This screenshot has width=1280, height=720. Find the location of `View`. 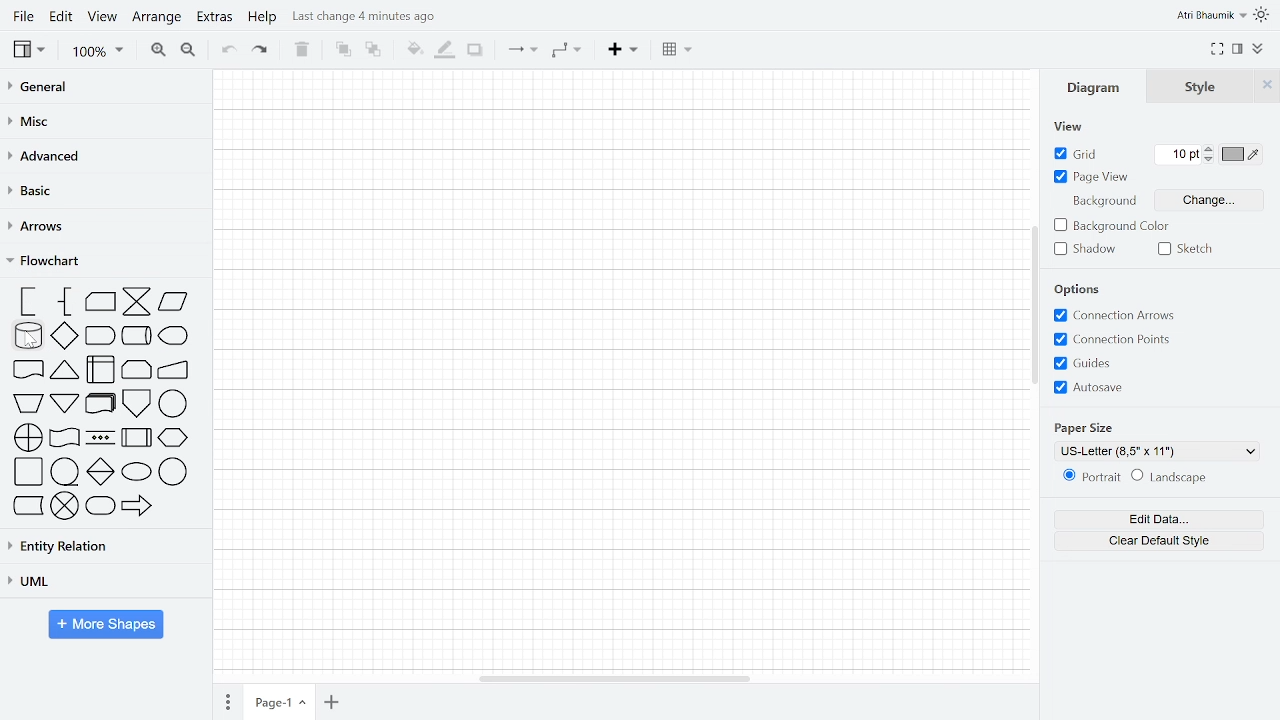

View is located at coordinates (29, 51).